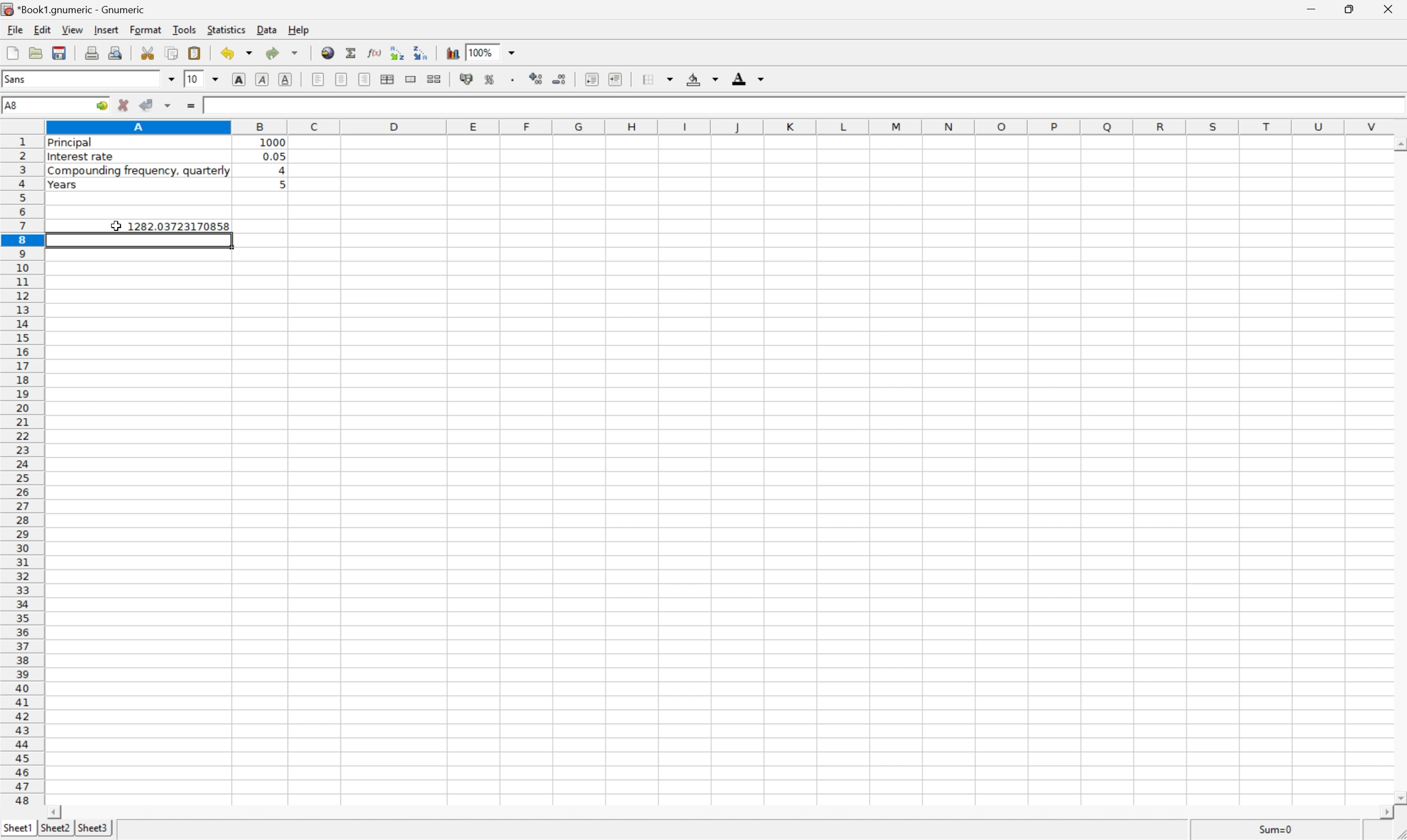 This screenshot has width=1407, height=840. What do you see at coordinates (216, 80) in the screenshot?
I see `drop down` at bounding box center [216, 80].